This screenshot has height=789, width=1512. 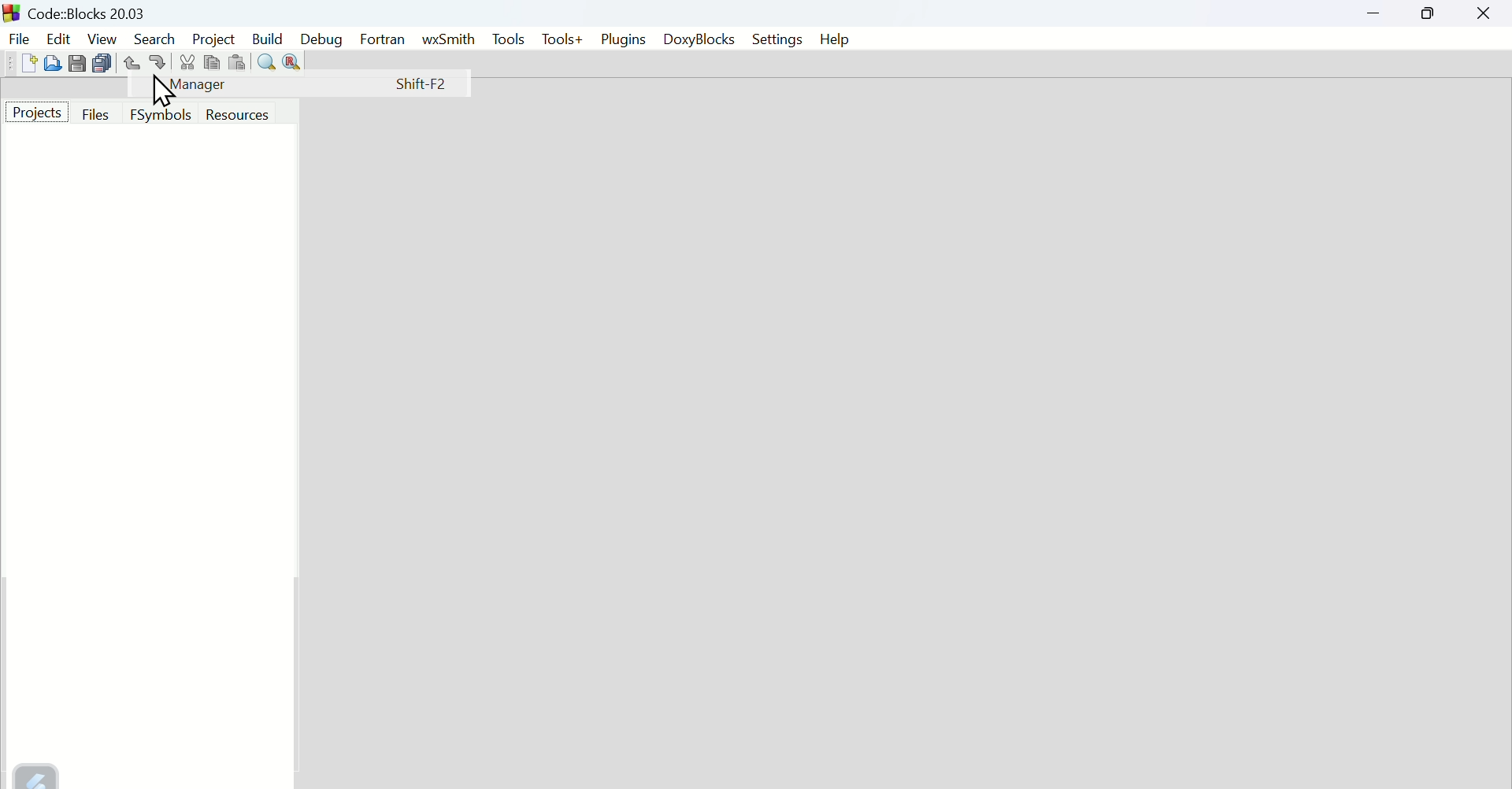 I want to click on Resources, so click(x=237, y=114).